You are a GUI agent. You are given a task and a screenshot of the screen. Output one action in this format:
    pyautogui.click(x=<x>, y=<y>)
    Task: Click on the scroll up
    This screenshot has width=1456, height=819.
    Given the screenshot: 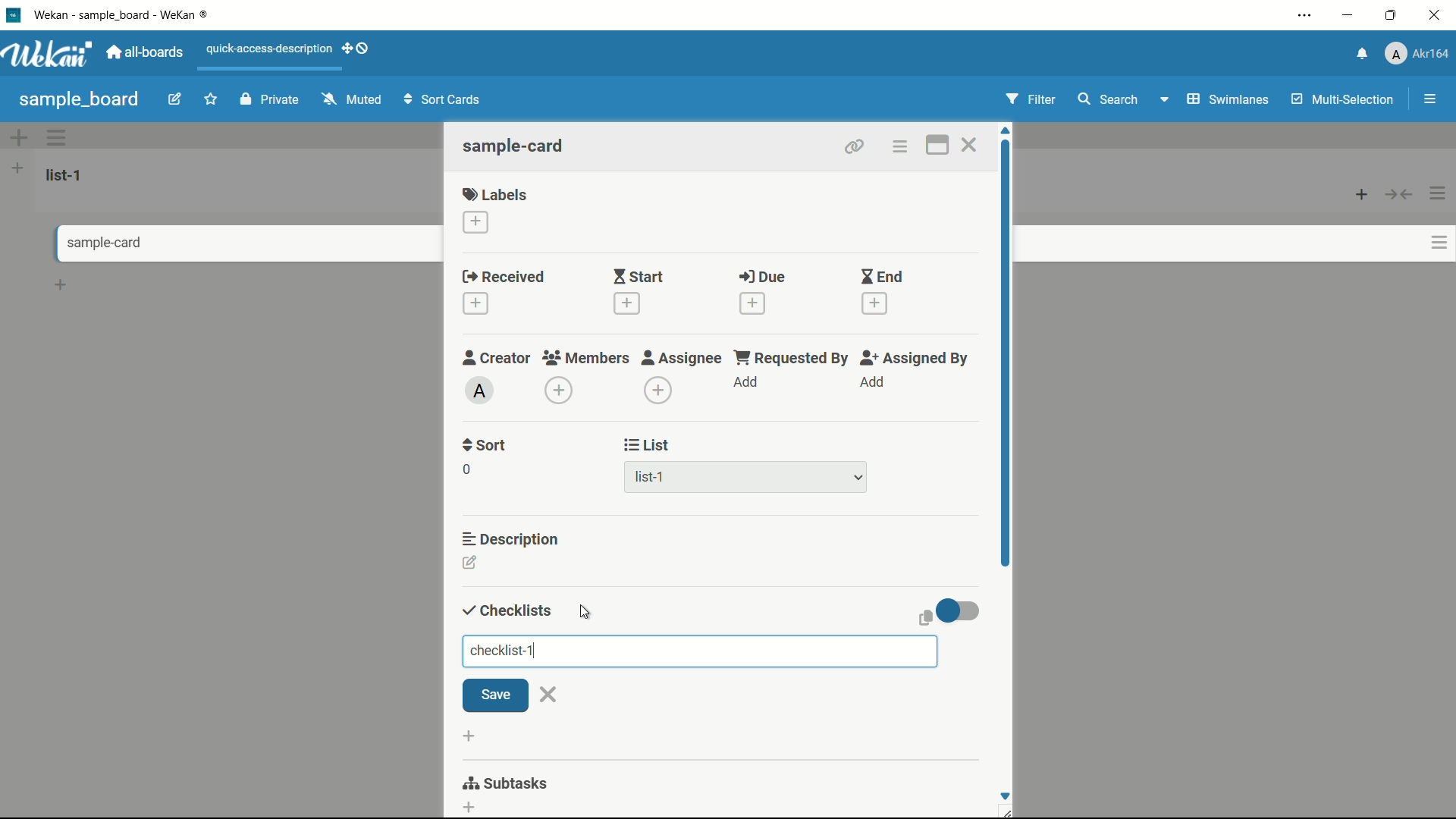 What is the action you would take?
    pyautogui.click(x=1007, y=130)
    